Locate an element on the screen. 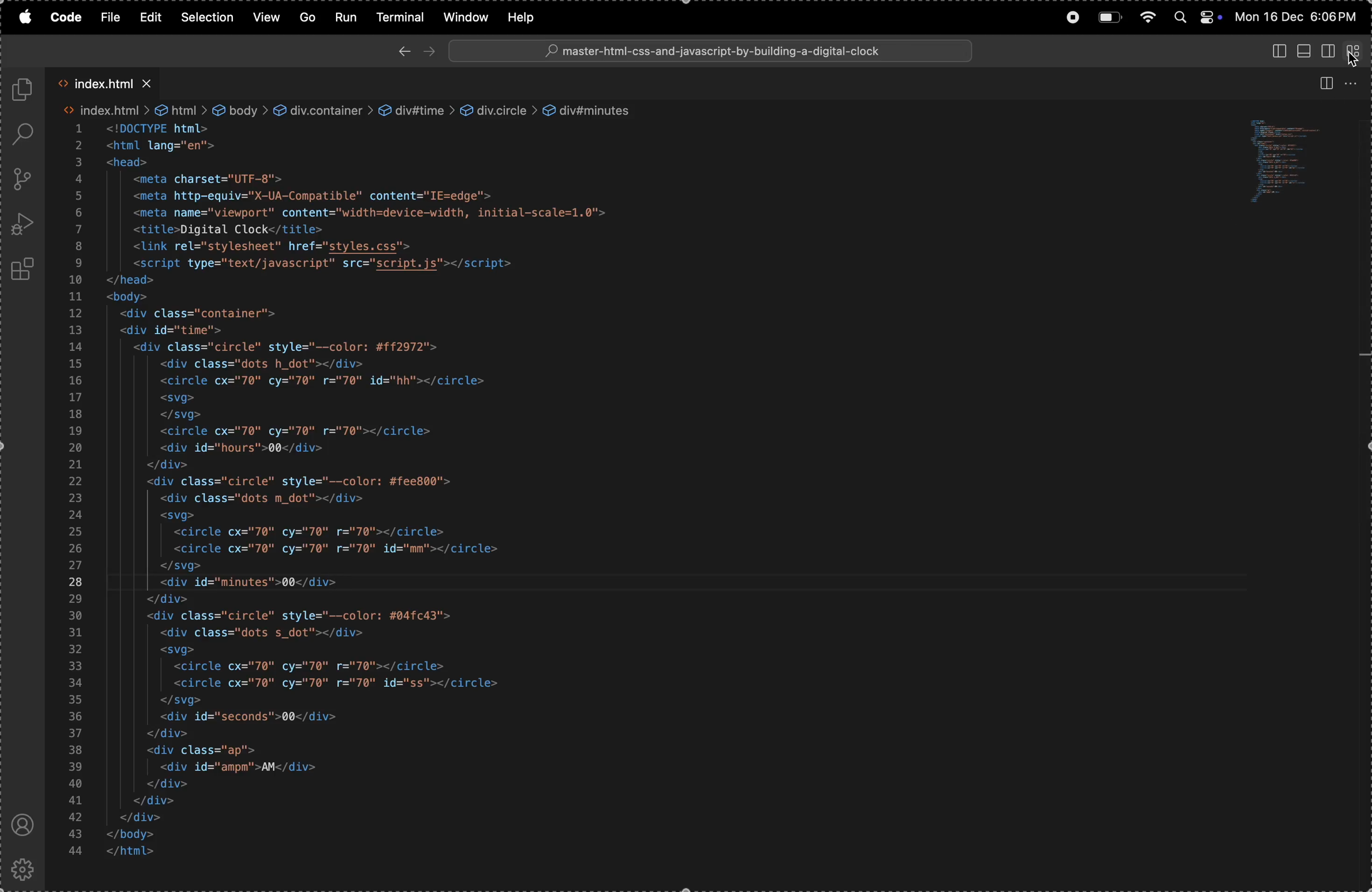 The image size is (1372, 892). record is located at coordinates (1069, 16).